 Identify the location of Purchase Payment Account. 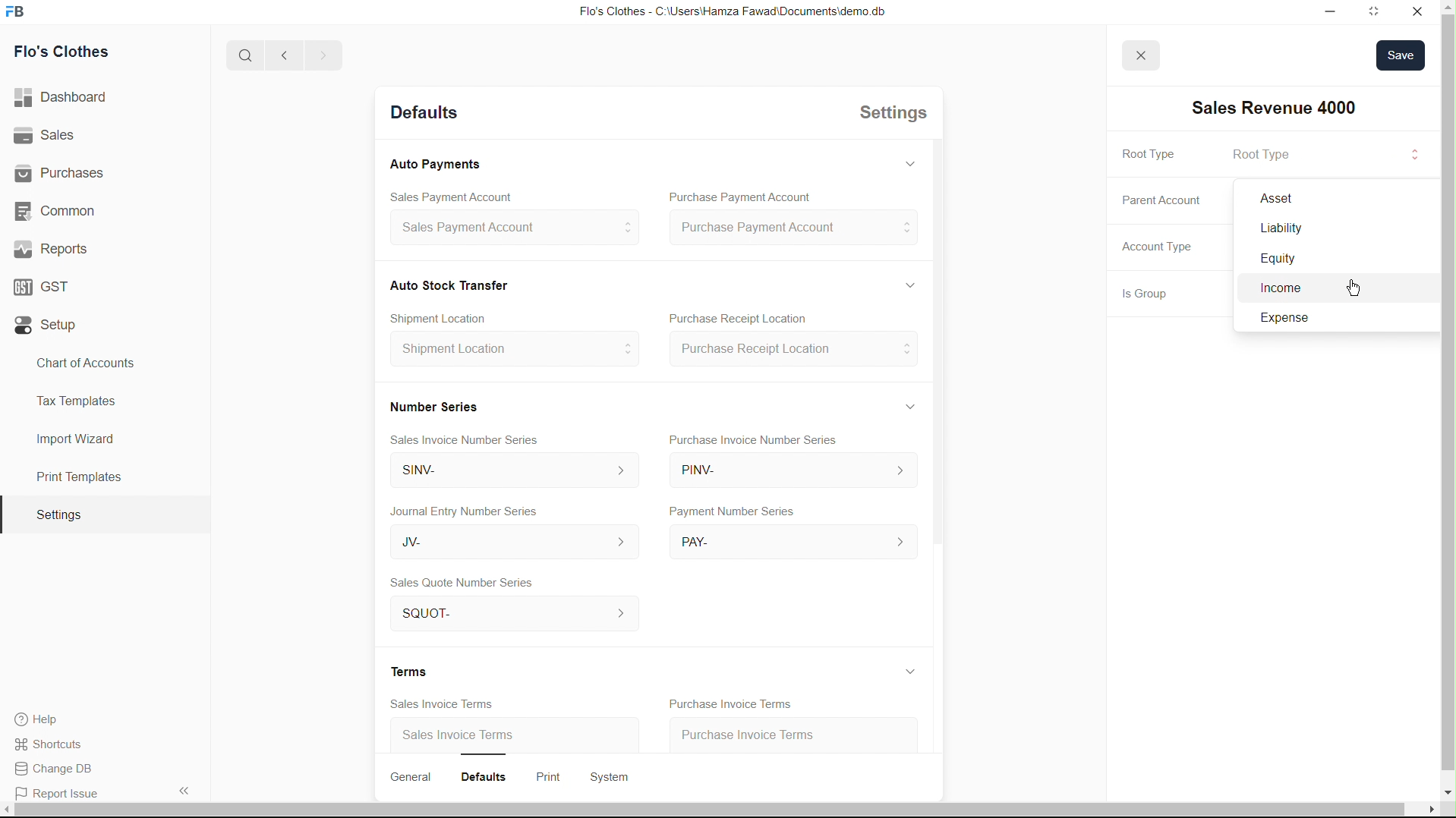
(742, 197).